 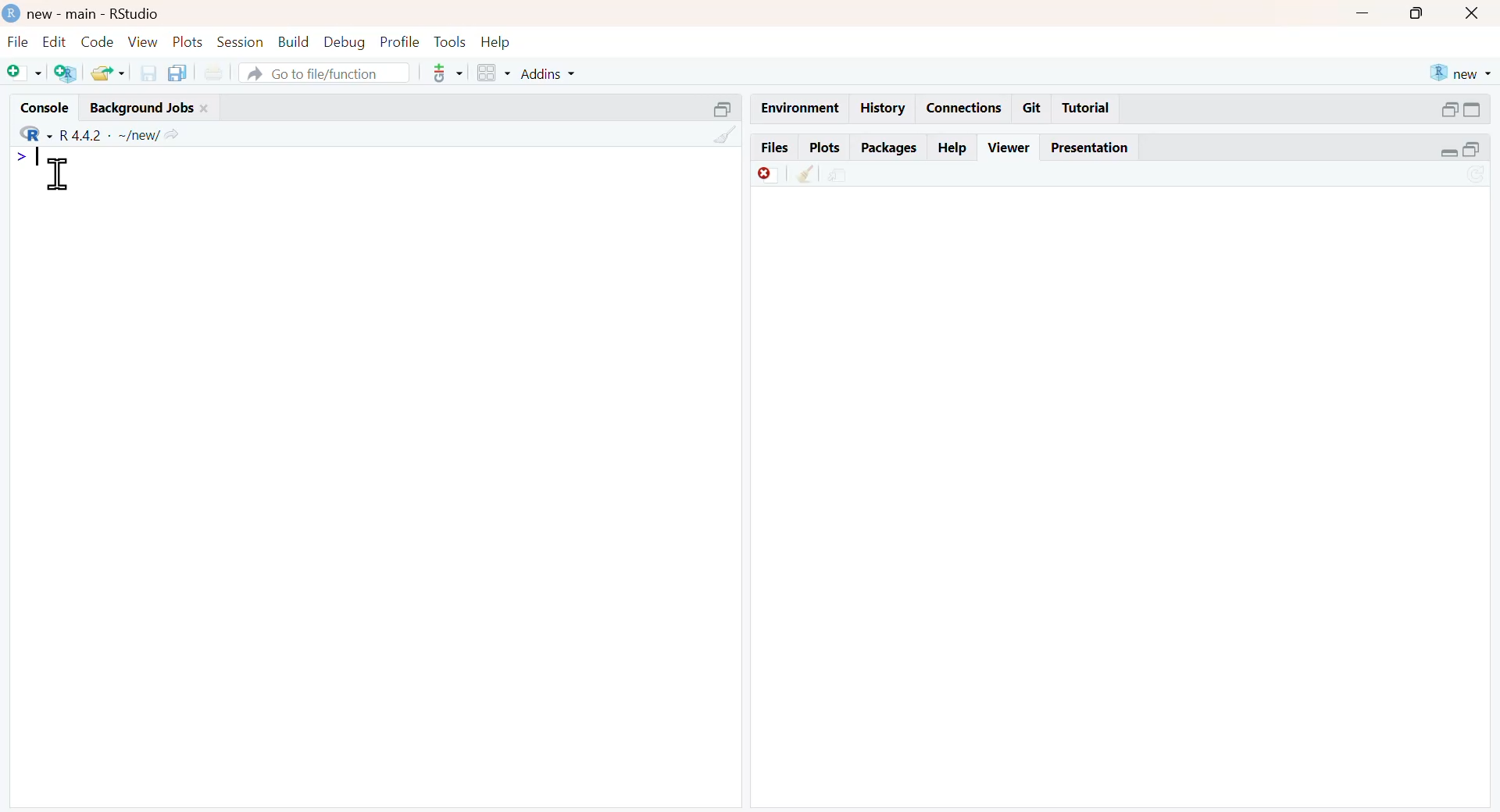 What do you see at coordinates (37, 157) in the screenshot?
I see `Typing indicator` at bounding box center [37, 157].